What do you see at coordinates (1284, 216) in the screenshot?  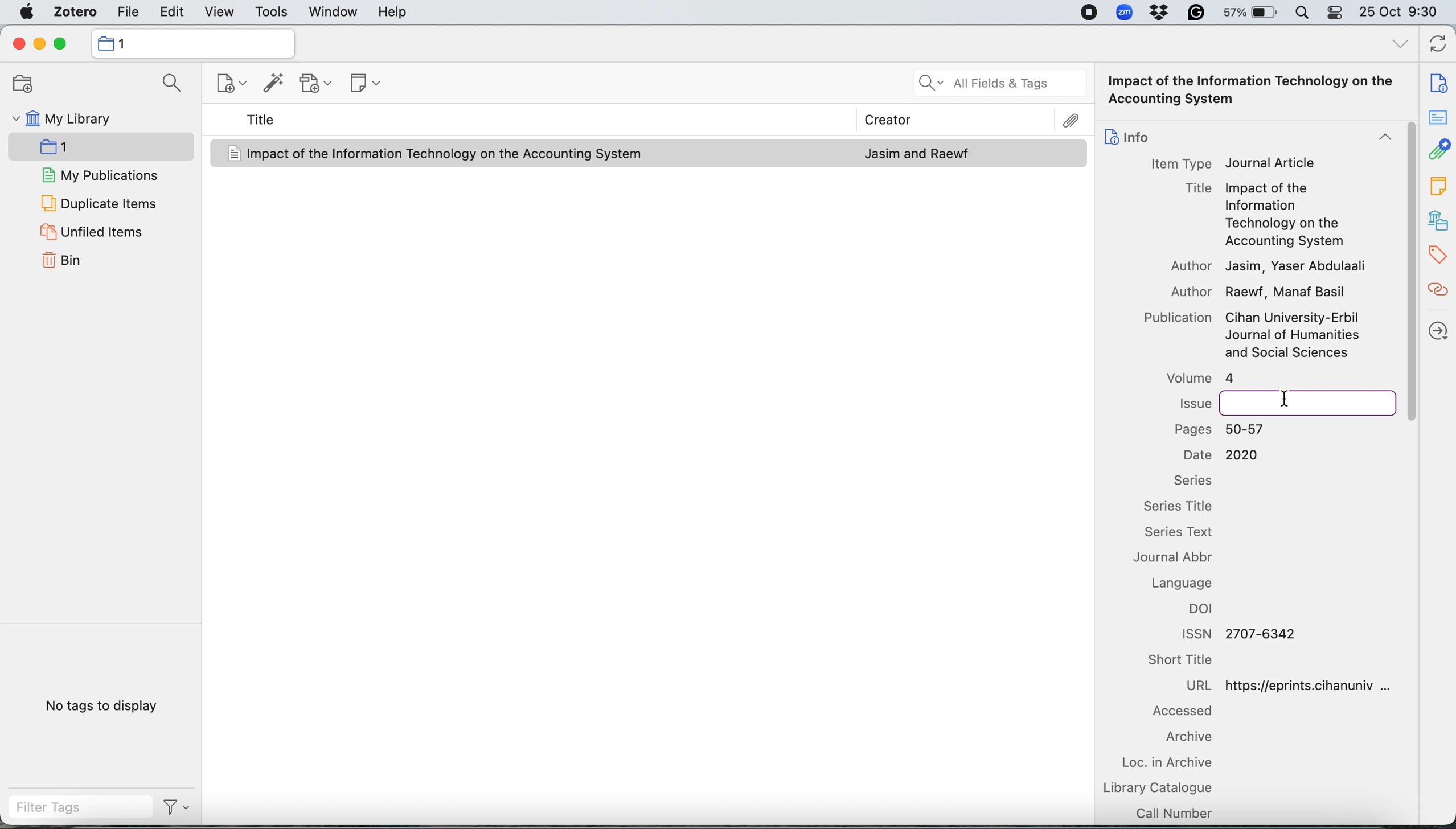 I see `Impact of the Information Technology on the Accounting System` at bounding box center [1284, 216].